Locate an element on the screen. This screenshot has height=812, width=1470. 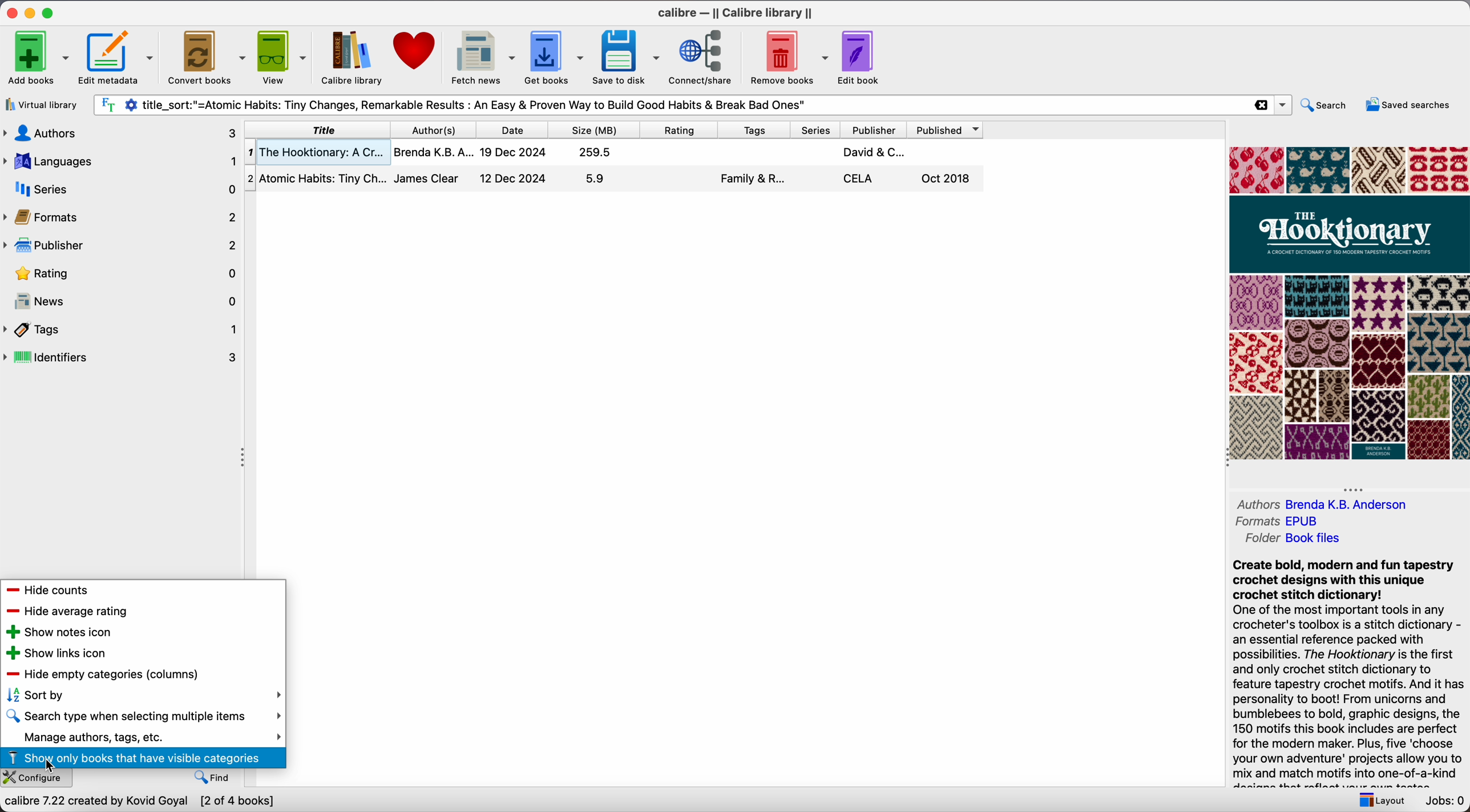
publisher is located at coordinates (877, 129).